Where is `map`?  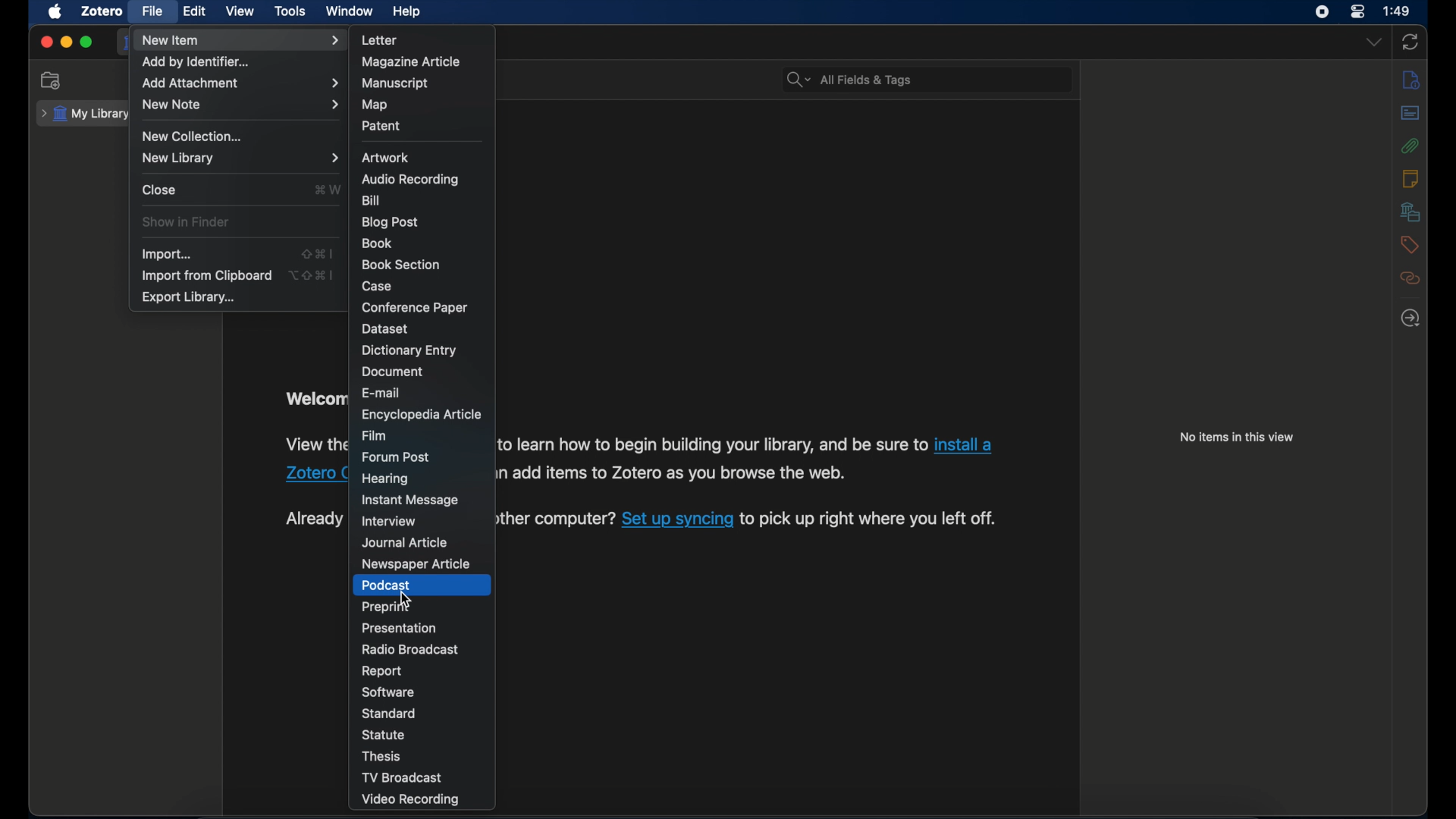
map is located at coordinates (375, 105).